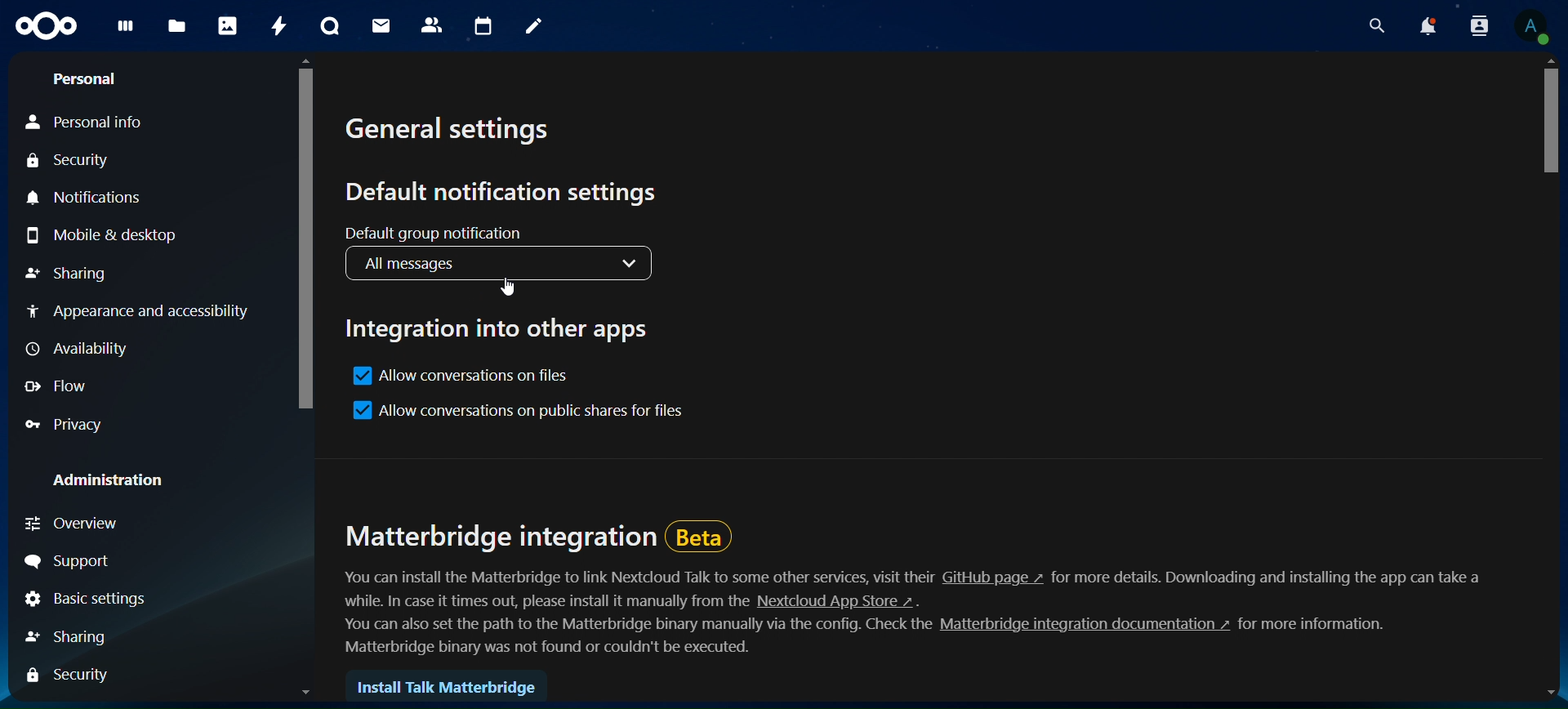 This screenshot has height=709, width=1568. What do you see at coordinates (94, 526) in the screenshot?
I see `overview` at bounding box center [94, 526].